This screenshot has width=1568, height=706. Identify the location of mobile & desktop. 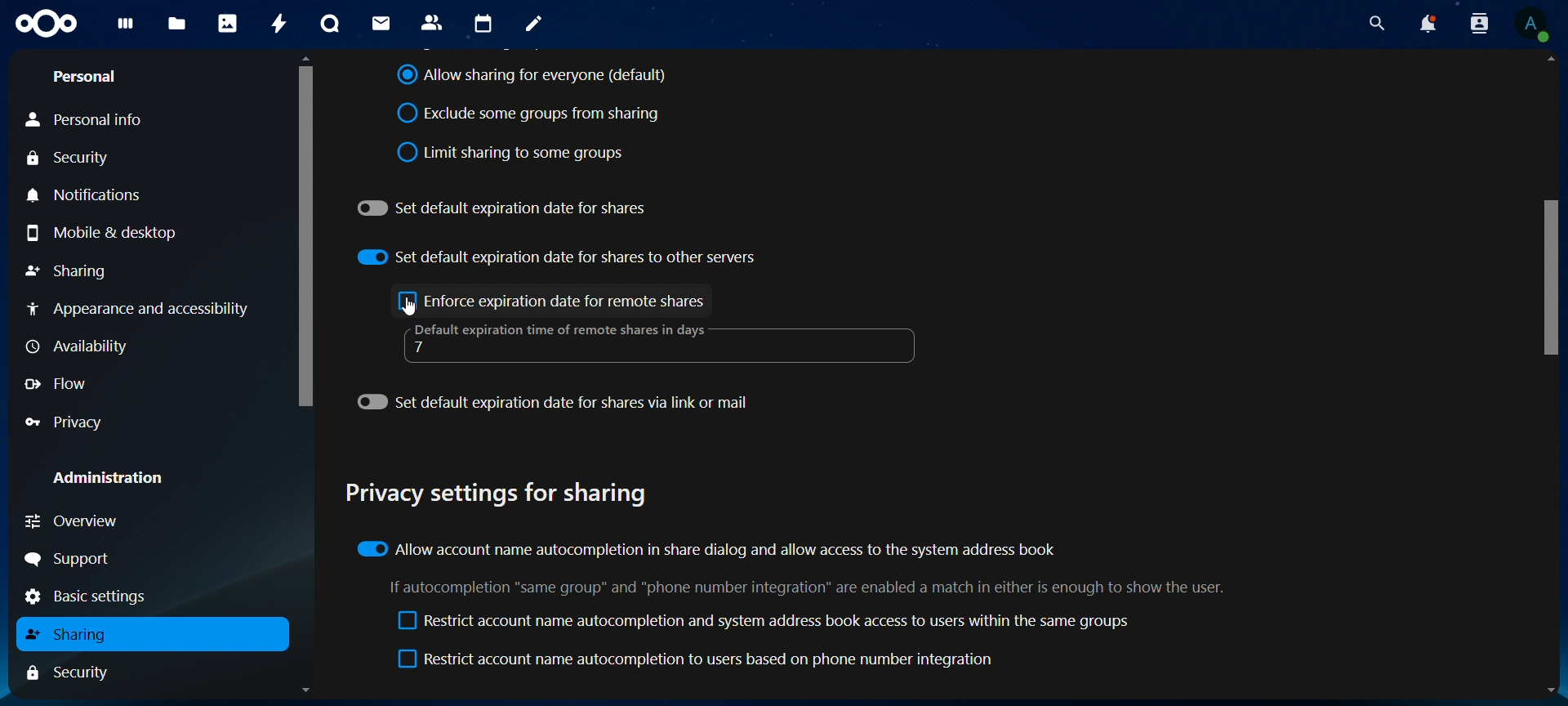
(116, 234).